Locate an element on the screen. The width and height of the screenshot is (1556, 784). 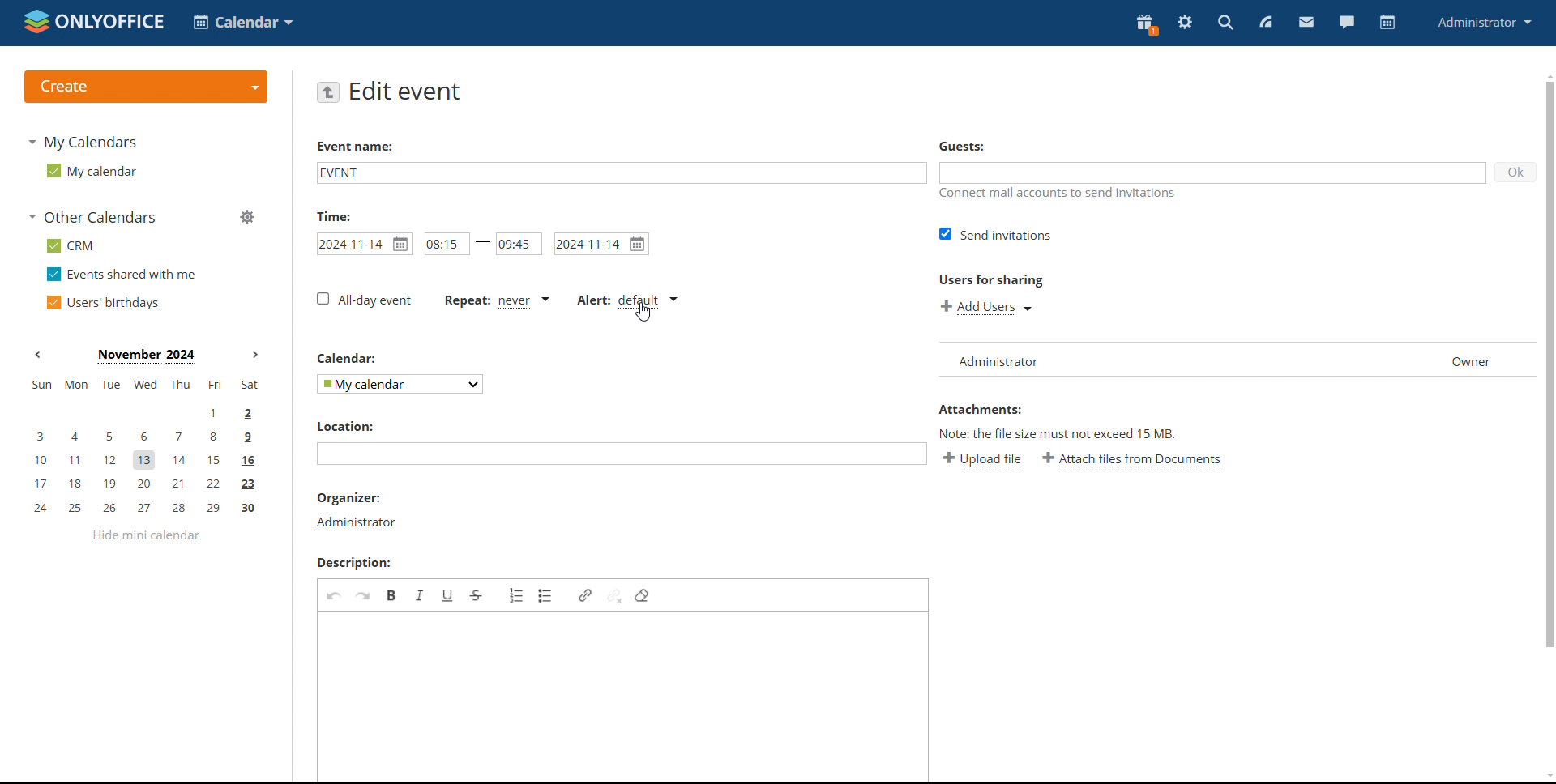
event name label is located at coordinates (359, 147).